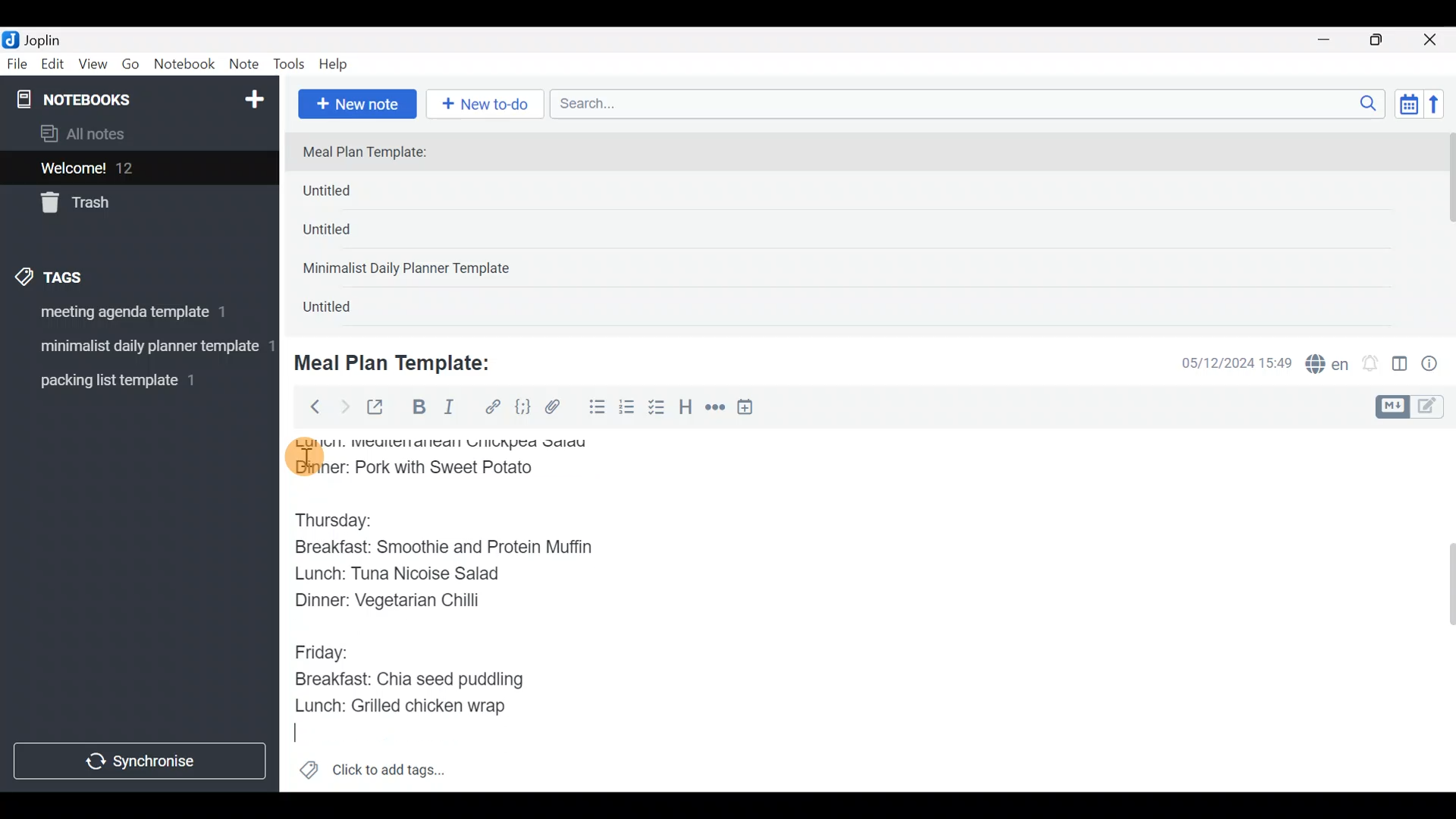 The image size is (1456, 819). Describe the element at coordinates (137, 169) in the screenshot. I see `Welcome!` at that location.